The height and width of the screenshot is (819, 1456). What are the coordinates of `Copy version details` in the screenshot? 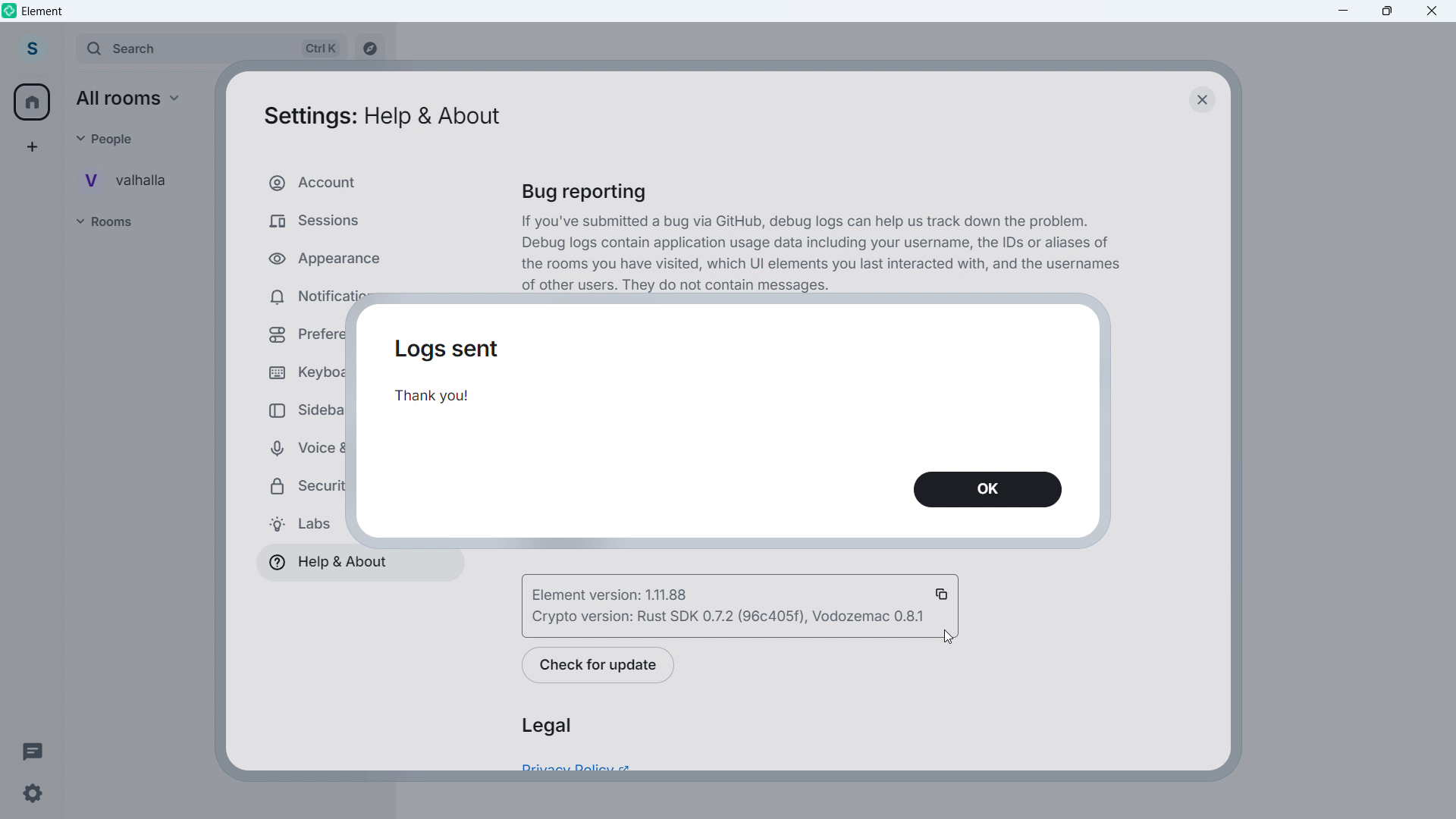 It's located at (943, 592).